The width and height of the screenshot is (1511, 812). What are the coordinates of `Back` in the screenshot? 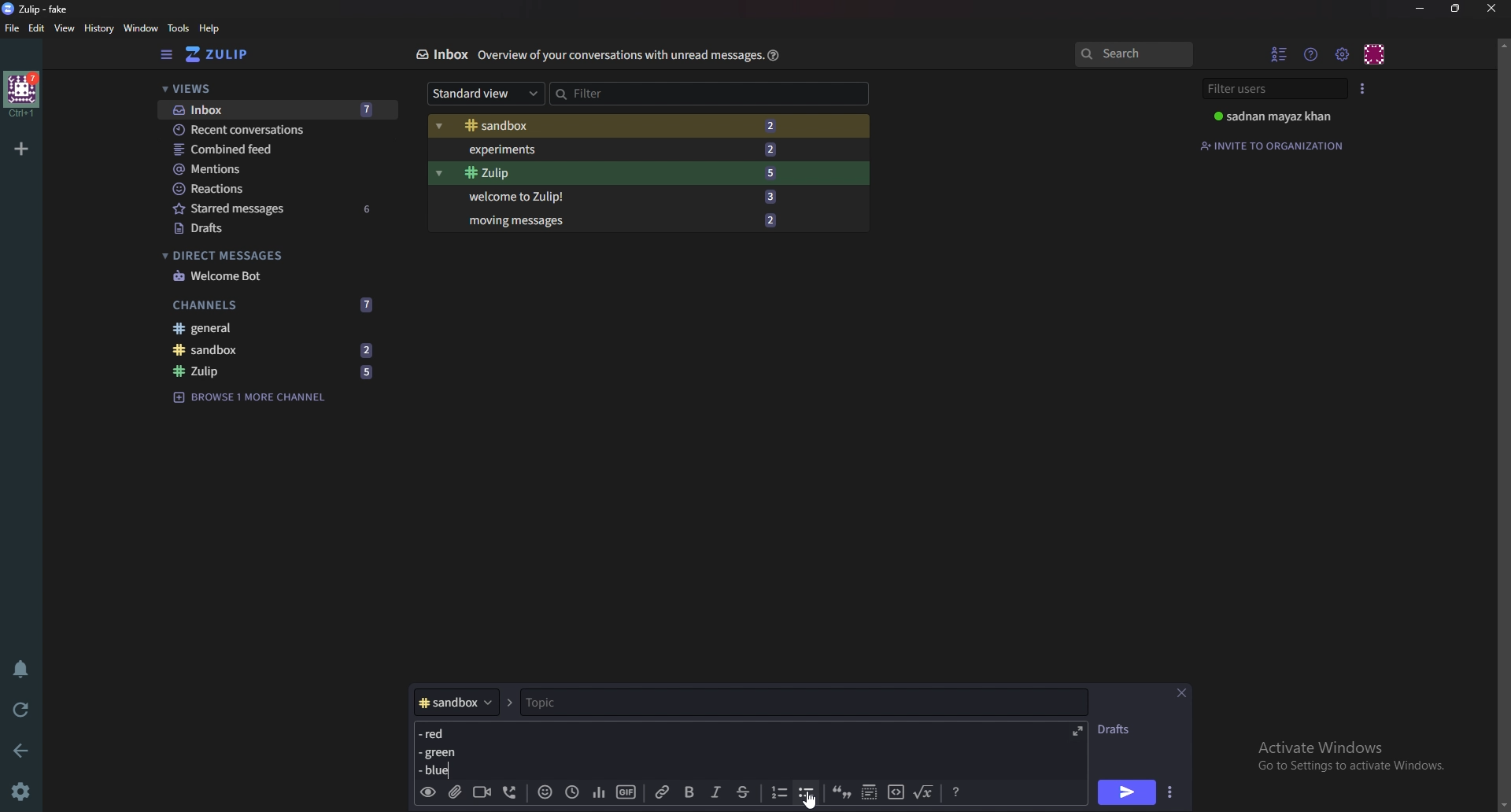 It's located at (24, 749).